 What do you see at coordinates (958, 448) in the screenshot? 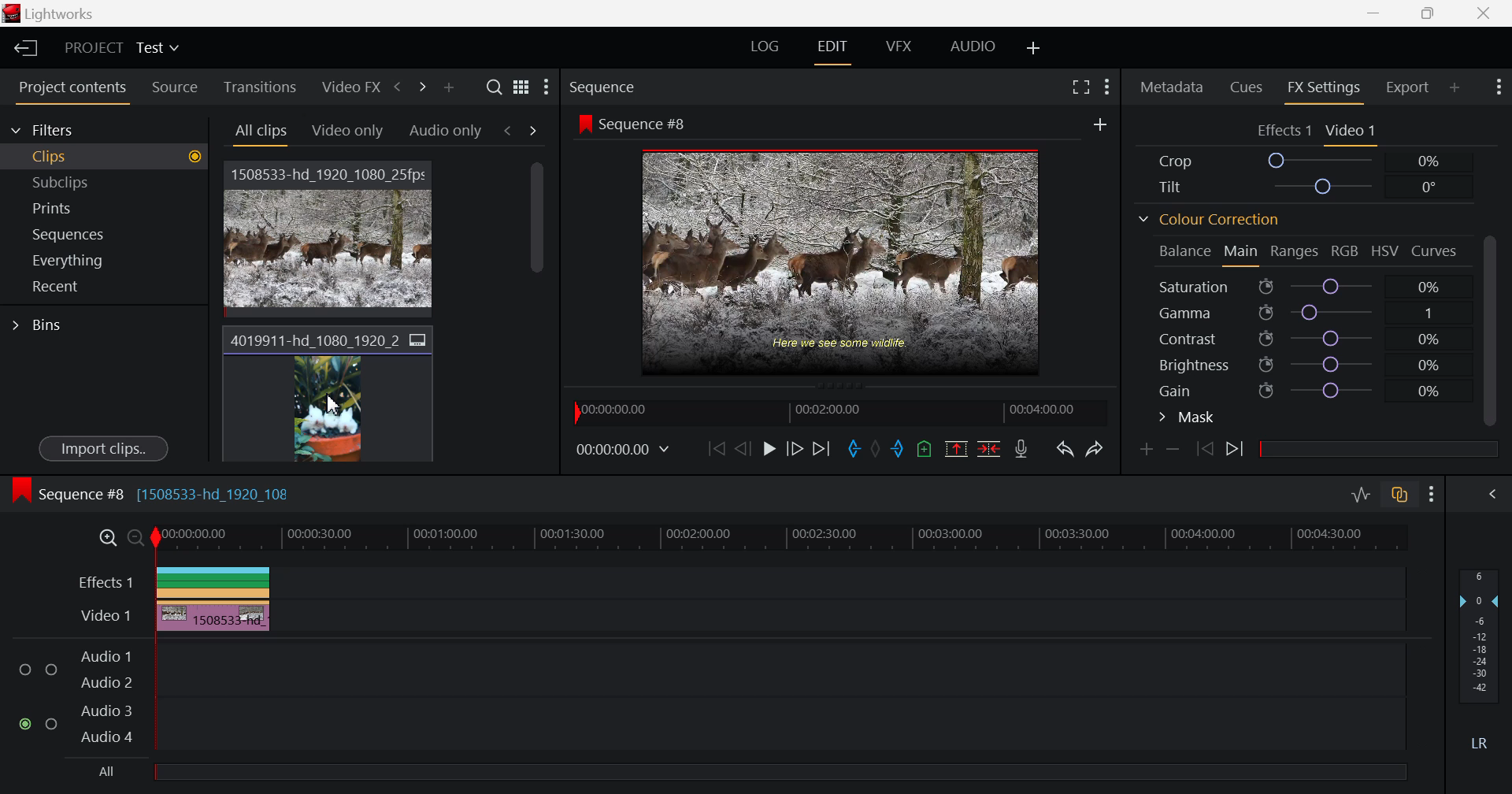
I see `Remove marked section` at bounding box center [958, 448].